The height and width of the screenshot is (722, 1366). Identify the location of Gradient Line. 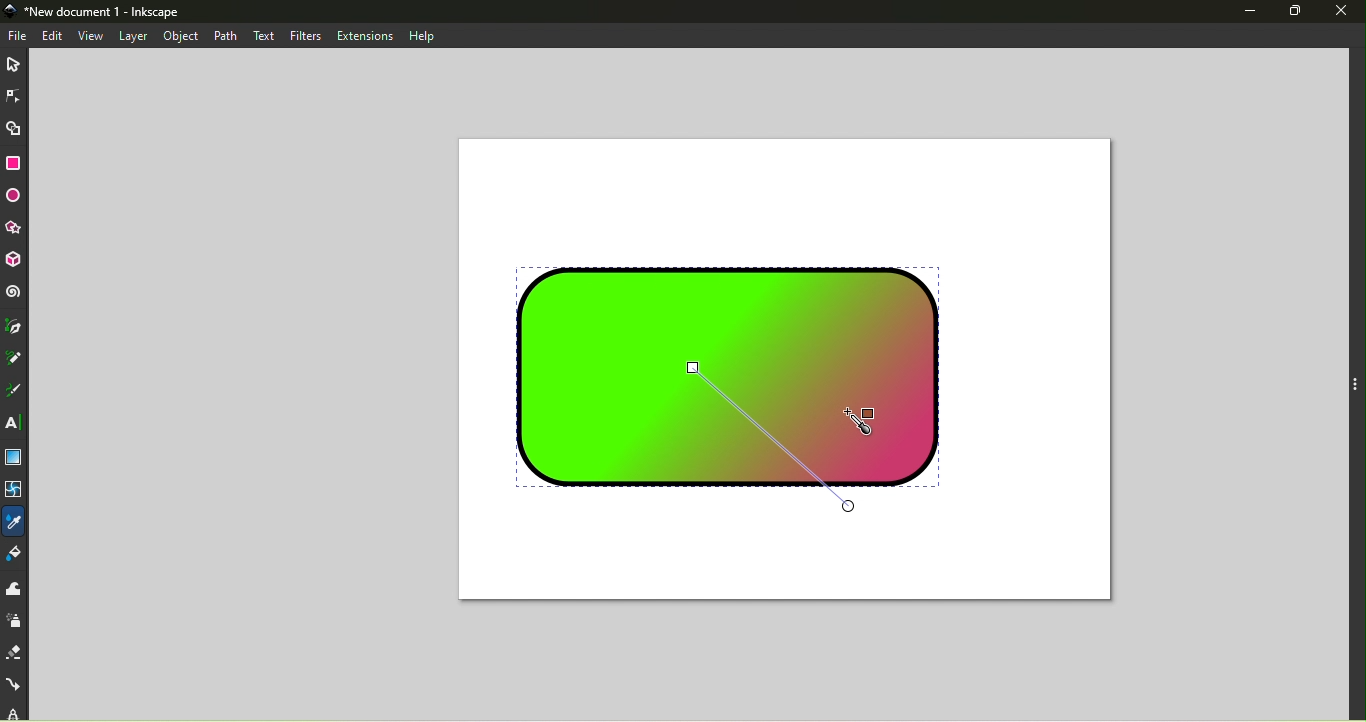
(770, 439).